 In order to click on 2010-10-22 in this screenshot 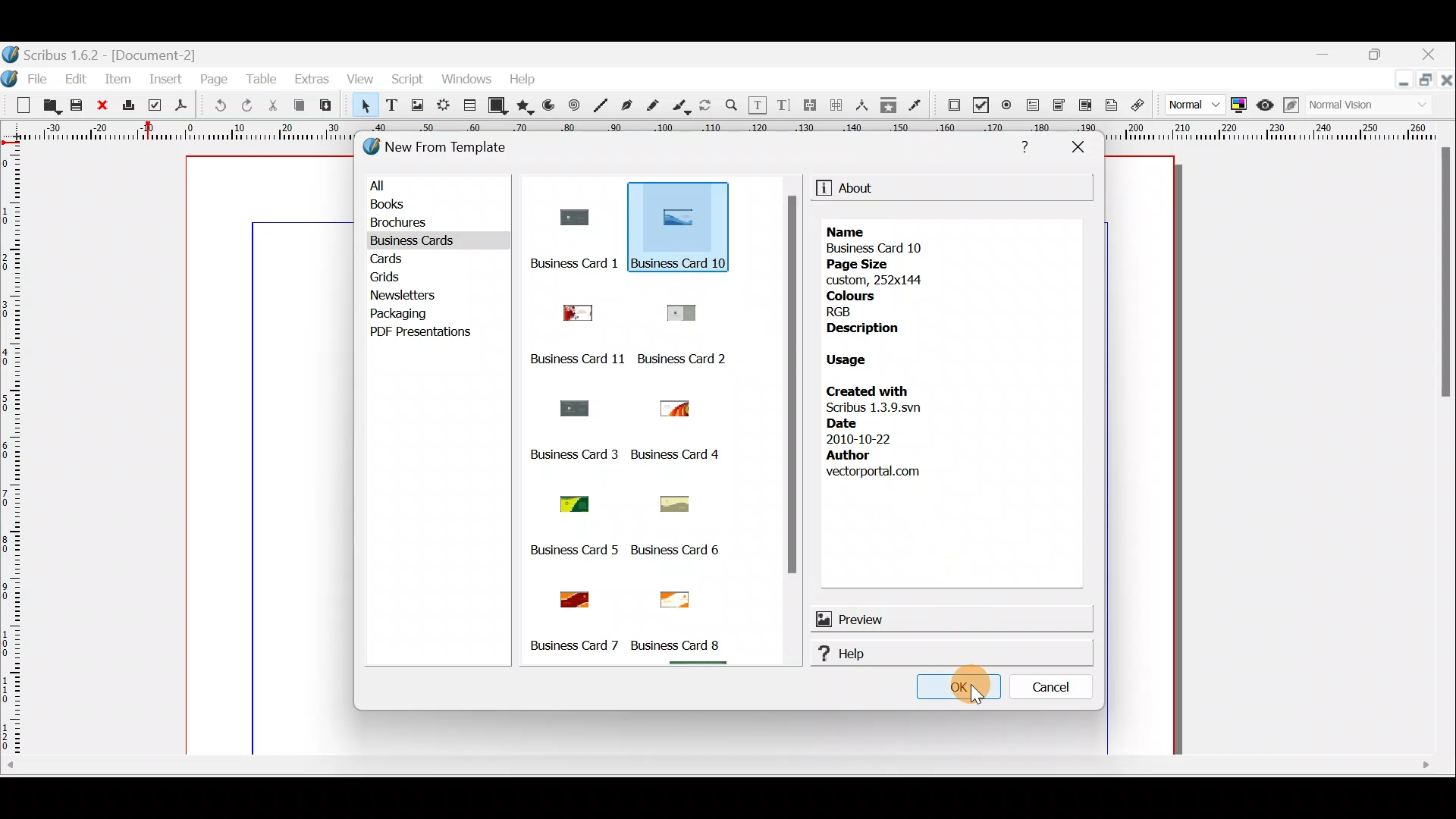, I will do `click(864, 438)`.